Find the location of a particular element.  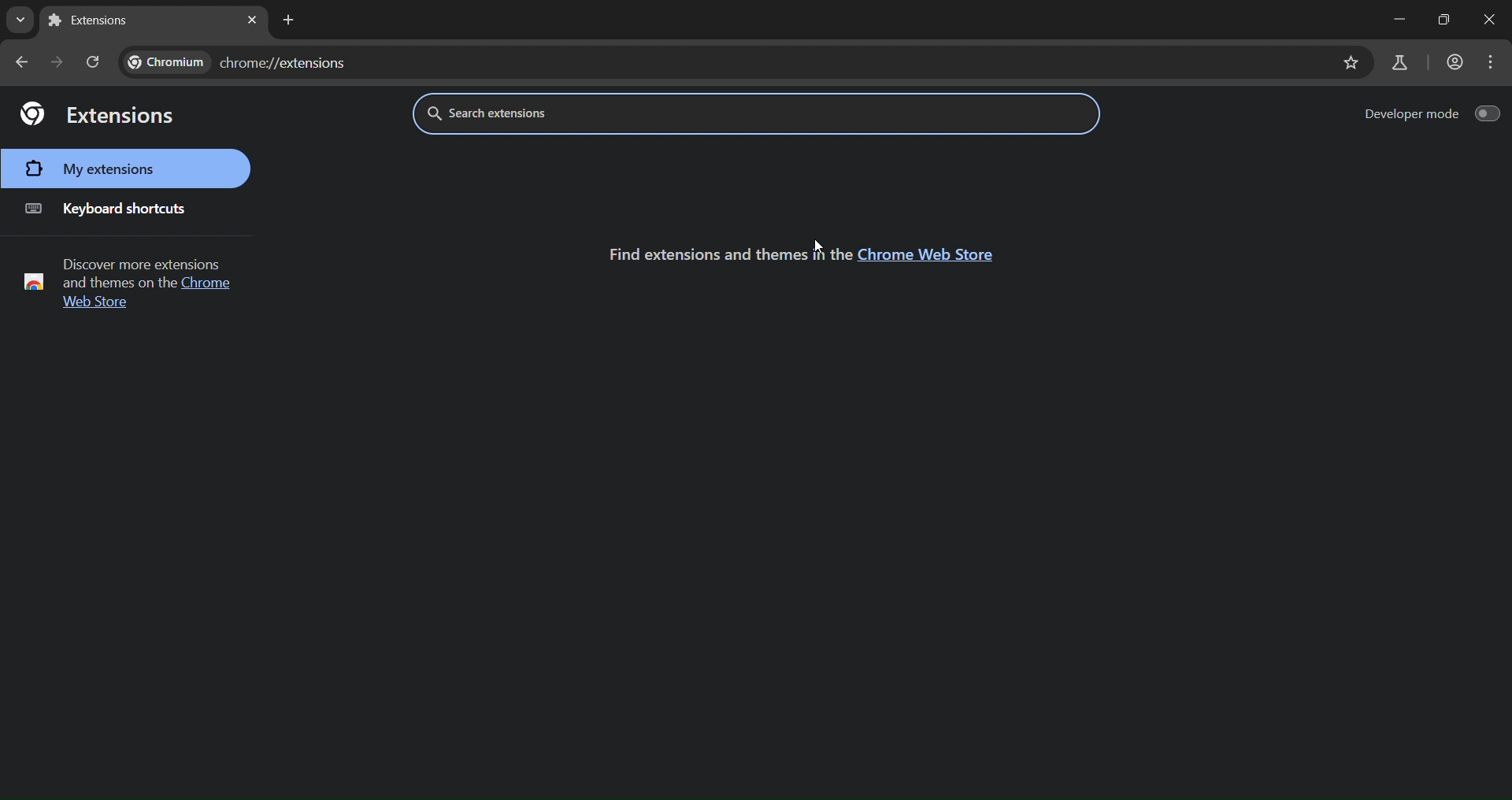

extensions is located at coordinates (101, 113).